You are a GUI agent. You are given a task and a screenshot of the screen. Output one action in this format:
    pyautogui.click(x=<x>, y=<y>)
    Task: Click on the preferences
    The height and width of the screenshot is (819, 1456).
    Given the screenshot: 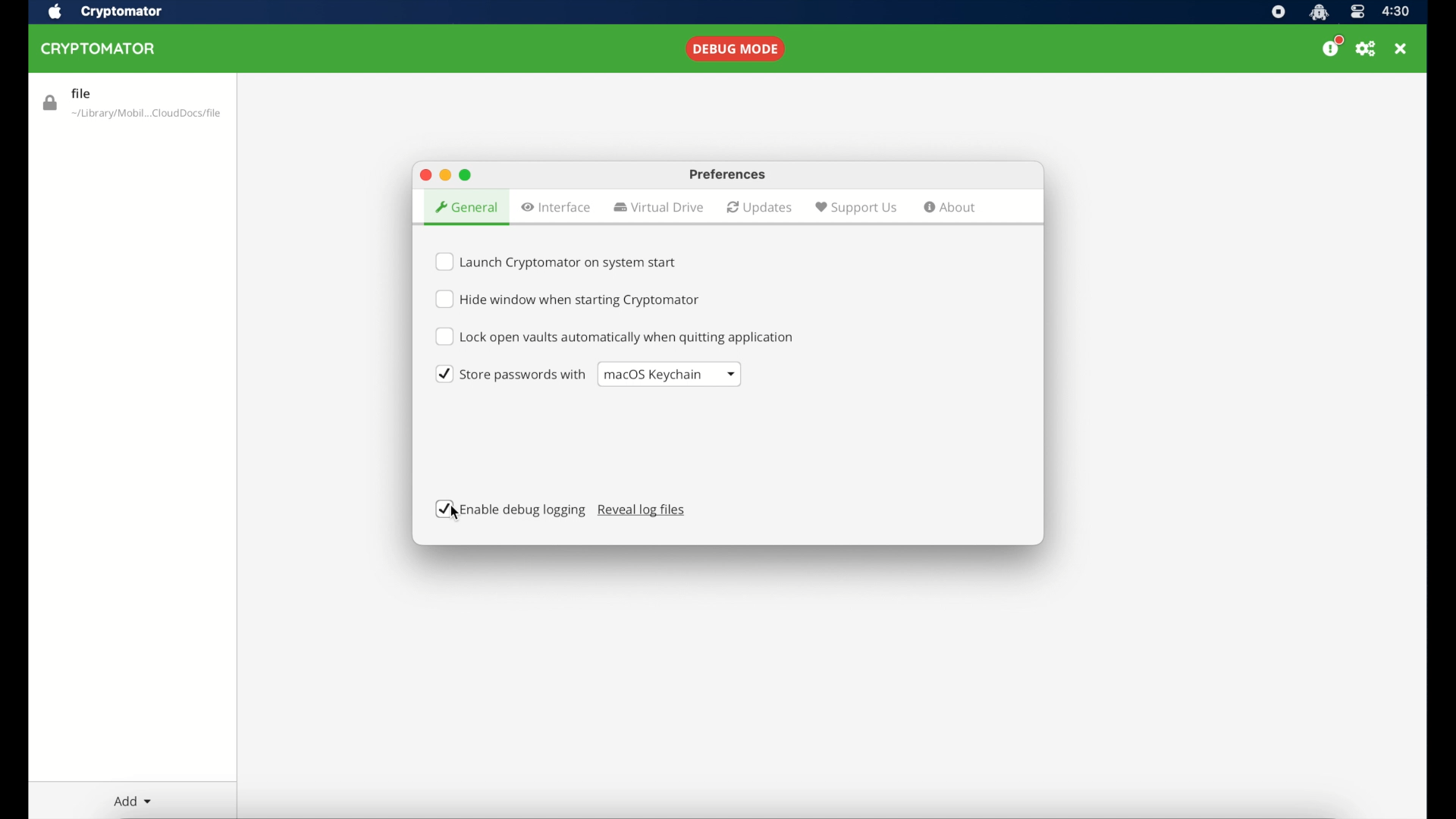 What is the action you would take?
    pyautogui.click(x=730, y=174)
    